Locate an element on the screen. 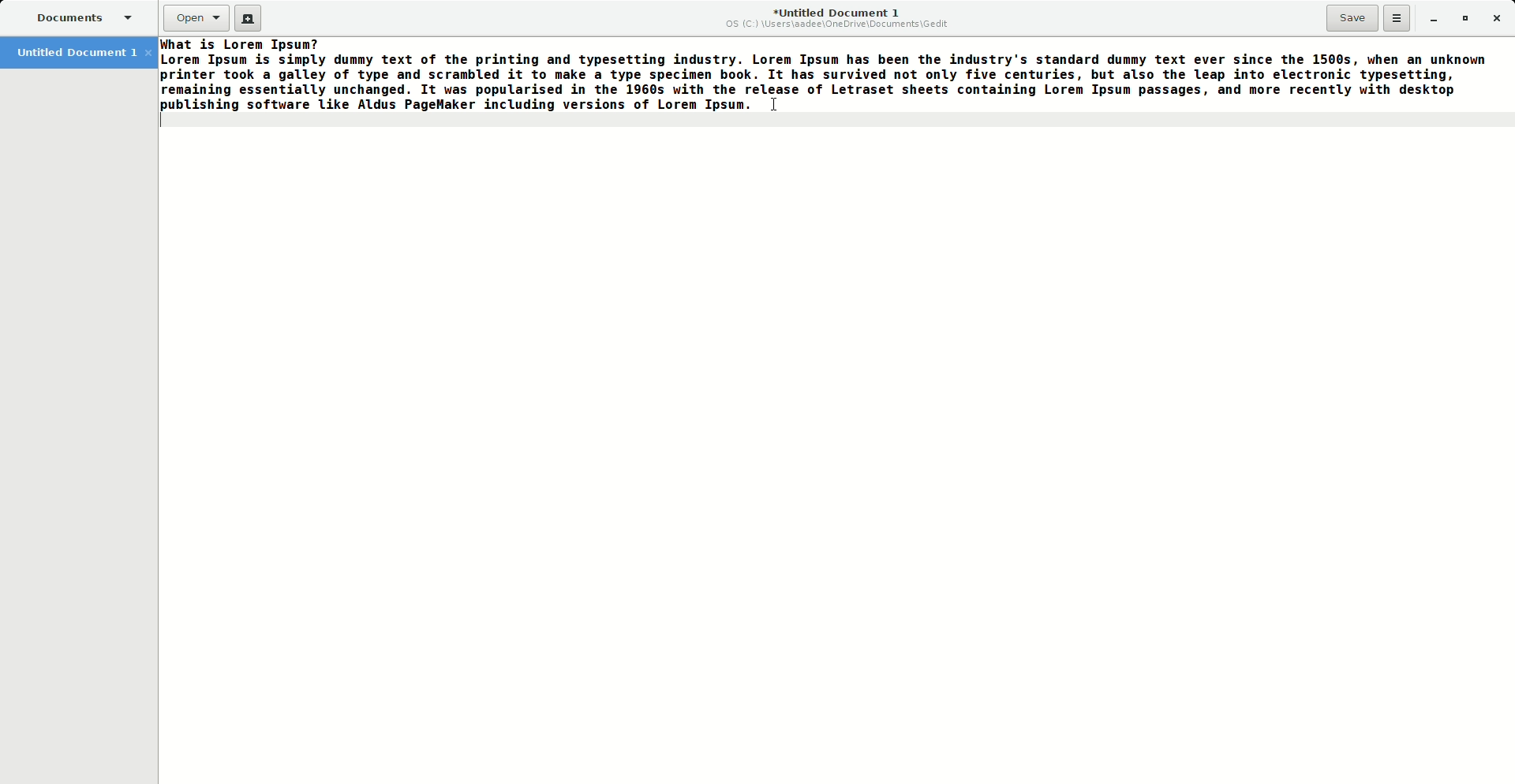 The width and height of the screenshot is (1515, 784). Untitled Document 1 is located at coordinates (838, 18).